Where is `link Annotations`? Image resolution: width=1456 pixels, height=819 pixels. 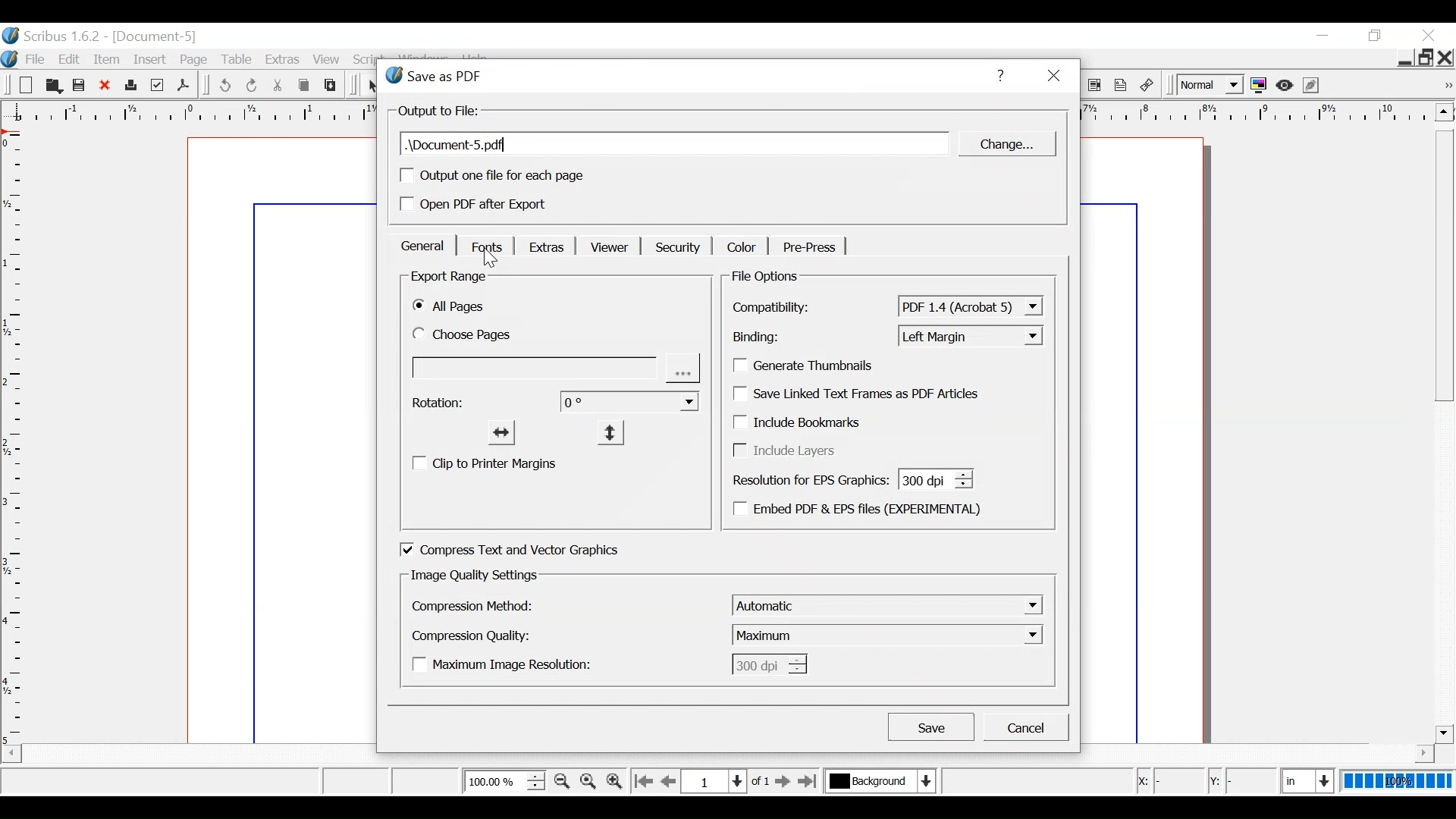
link Annotations is located at coordinates (1147, 86).